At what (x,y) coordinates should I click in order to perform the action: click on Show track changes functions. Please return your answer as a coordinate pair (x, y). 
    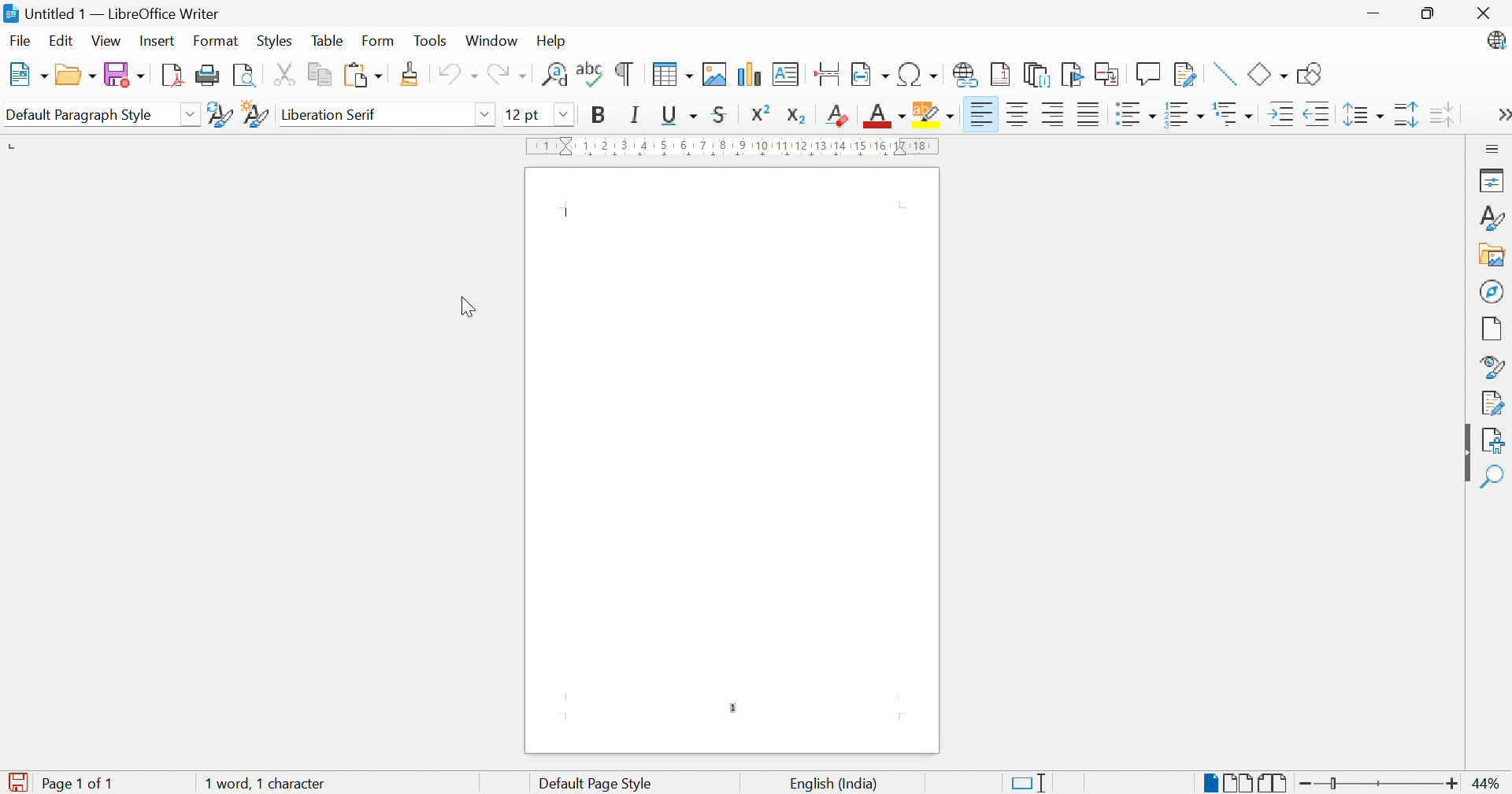
    Looking at the image, I should click on (1185, 73).